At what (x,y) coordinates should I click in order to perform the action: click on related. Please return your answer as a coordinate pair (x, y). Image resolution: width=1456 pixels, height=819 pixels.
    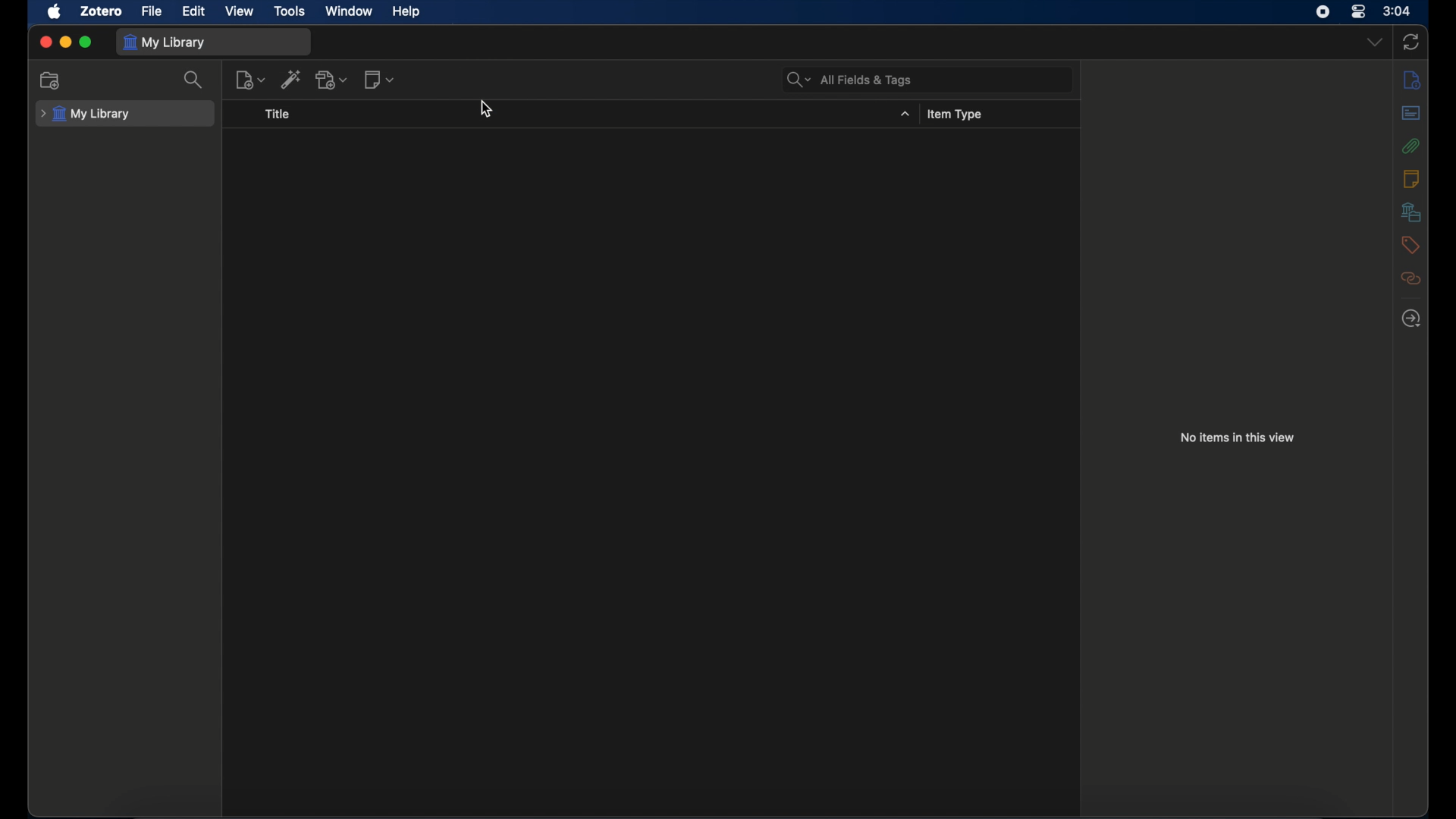
    Looking at the image, I should click on (1410, 278).